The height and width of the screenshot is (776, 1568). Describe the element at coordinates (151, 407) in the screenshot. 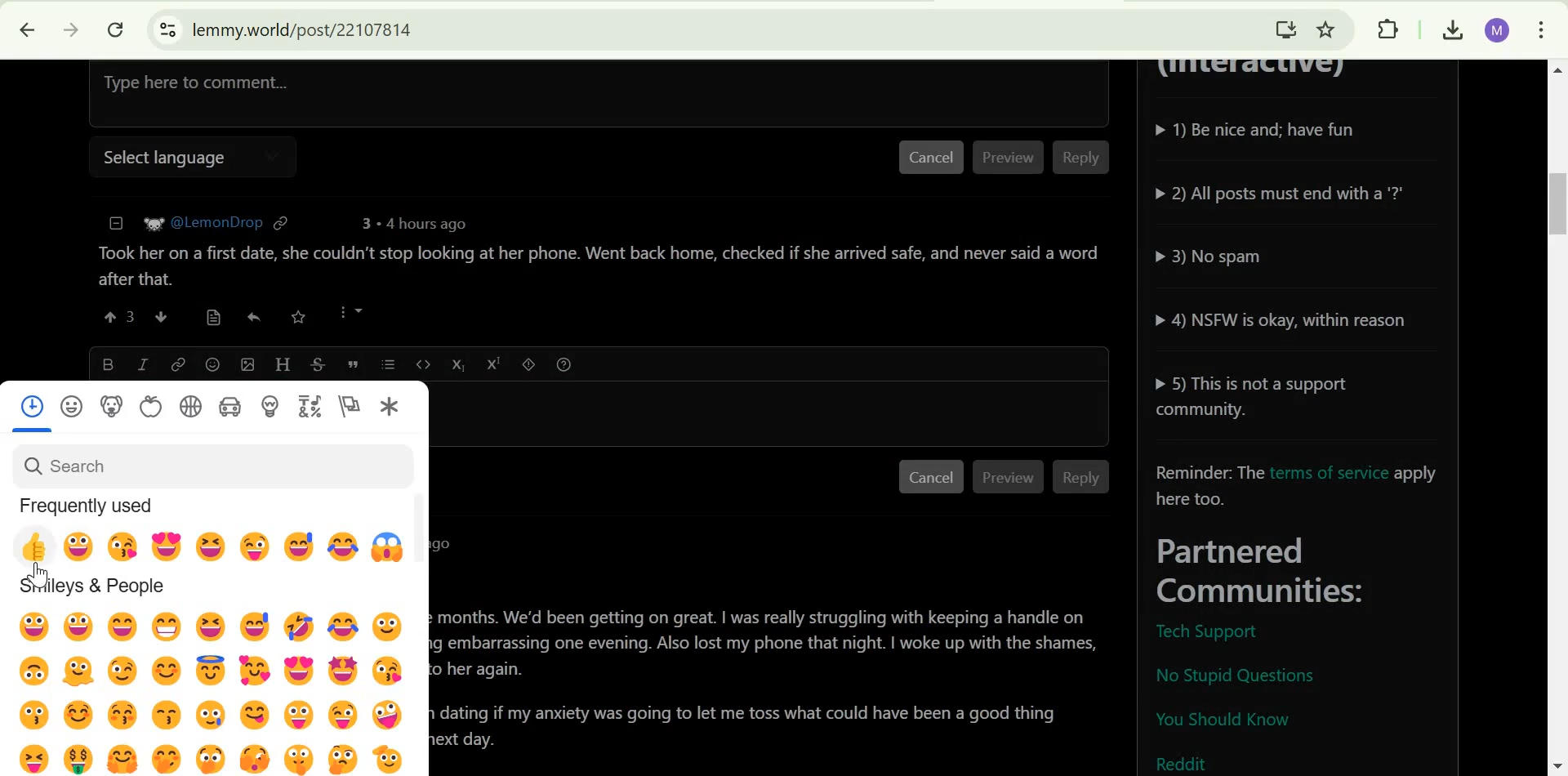

I see `Food & Drink` at that location.